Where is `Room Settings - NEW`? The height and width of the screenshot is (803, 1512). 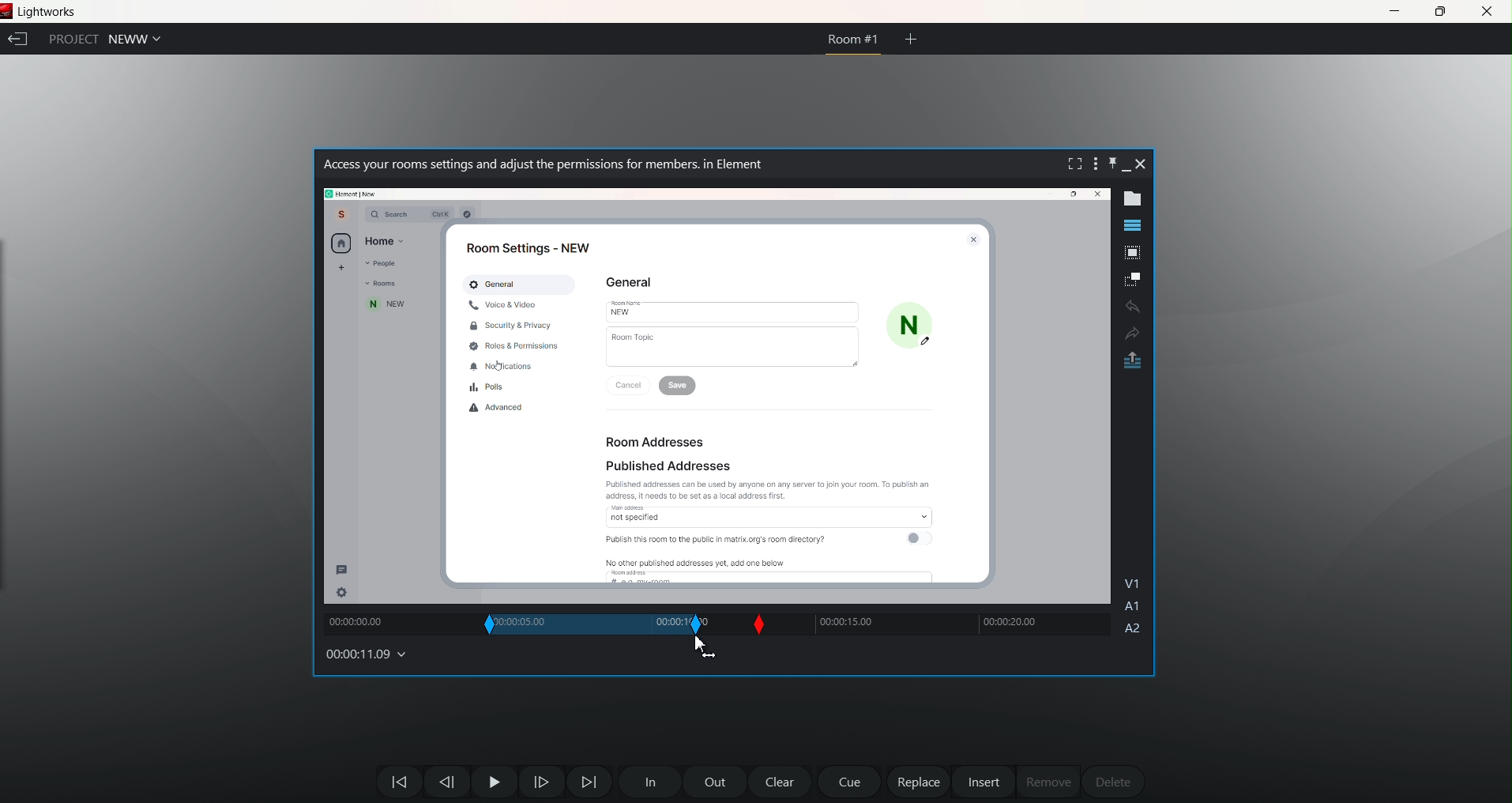
Room Settings - NEW is located at coordinates (522, 247).